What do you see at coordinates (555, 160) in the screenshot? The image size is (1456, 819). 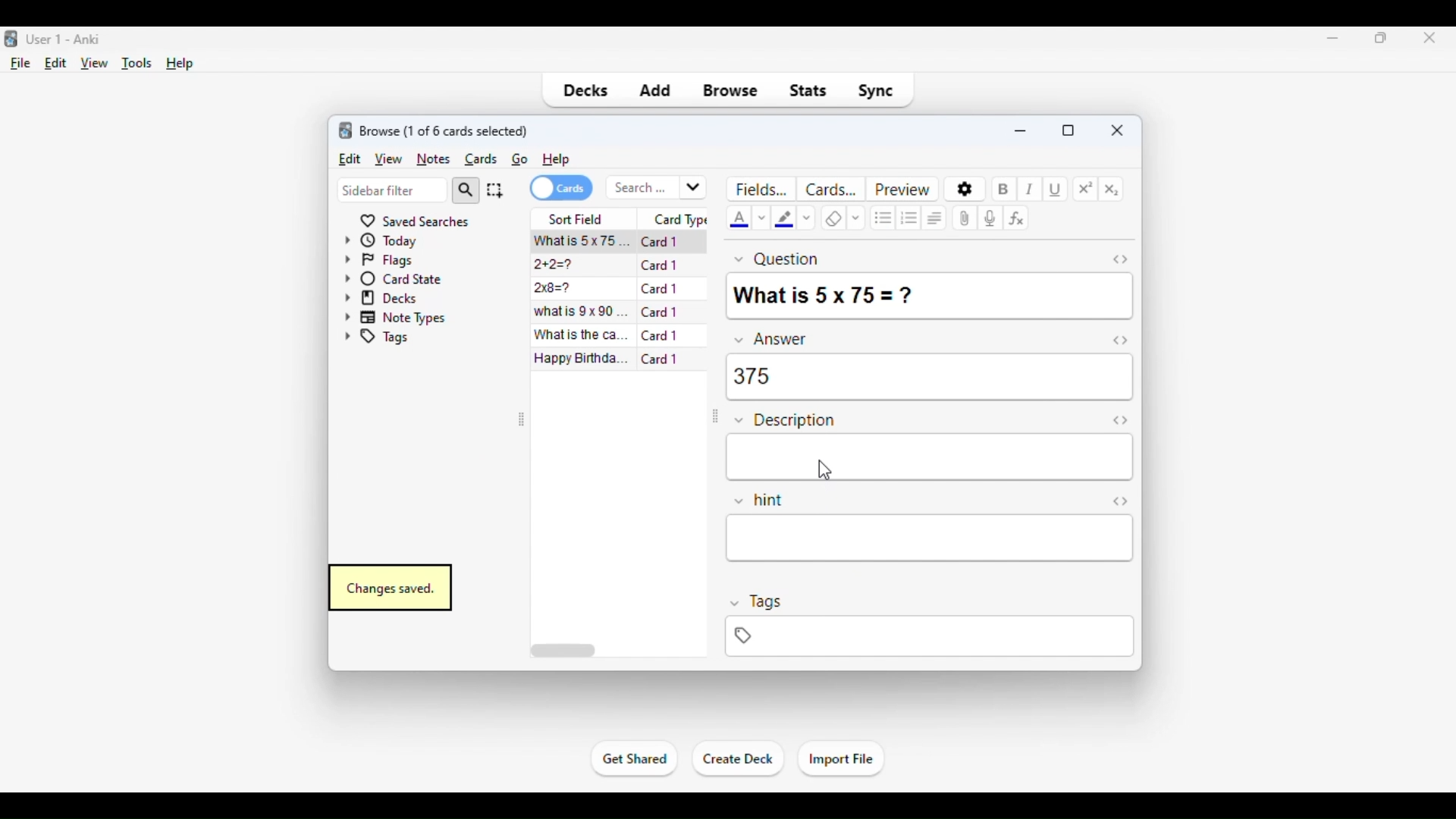 I see `help` at bounding box center [555, 160].